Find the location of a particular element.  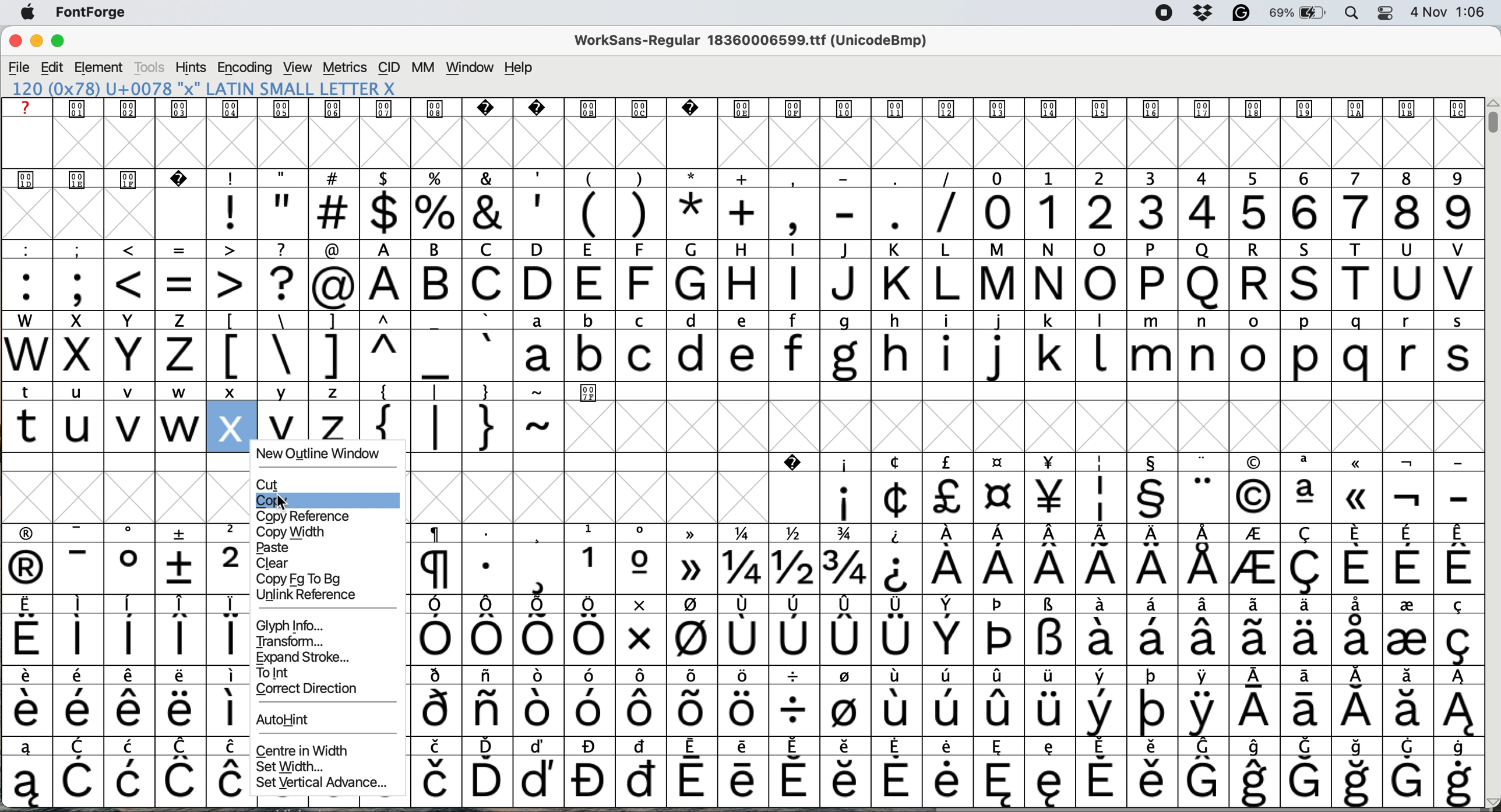

copy width is located at coordinates (295, 530).